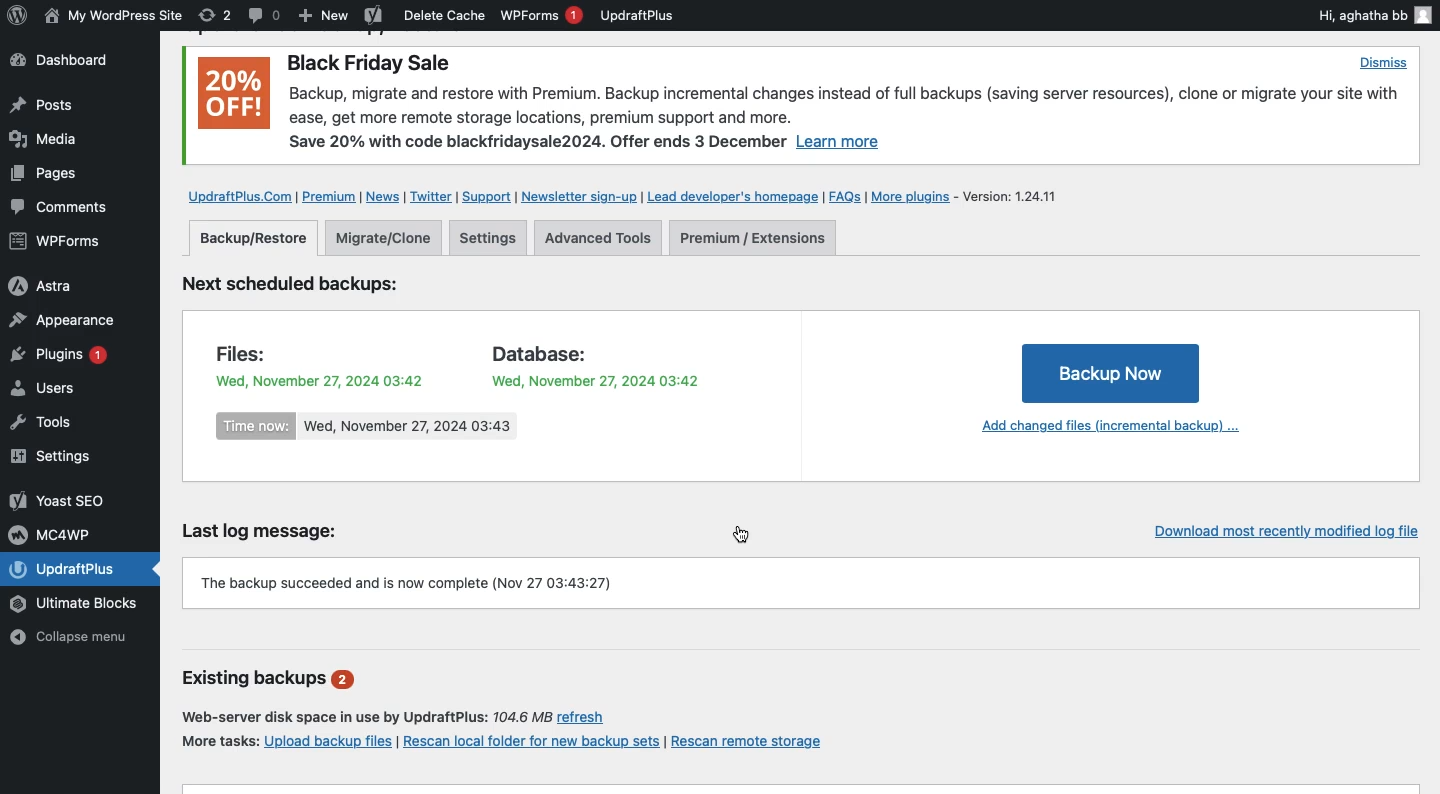 This screenshot has width=1440, height=794. I want to click on Black Friday Sale, so click(371, 65).